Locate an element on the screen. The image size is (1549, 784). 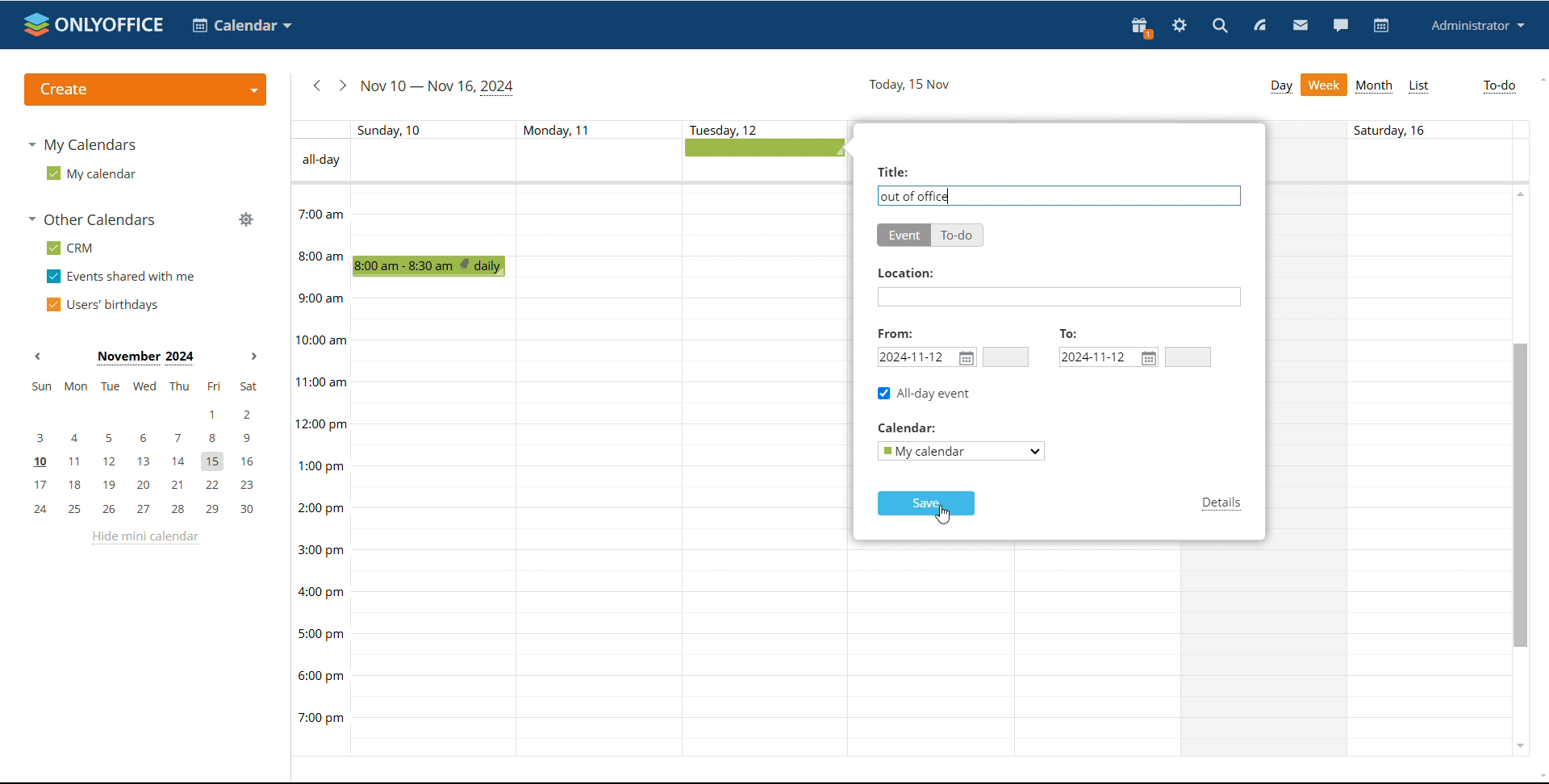
text is located at coordinates (726, 127).